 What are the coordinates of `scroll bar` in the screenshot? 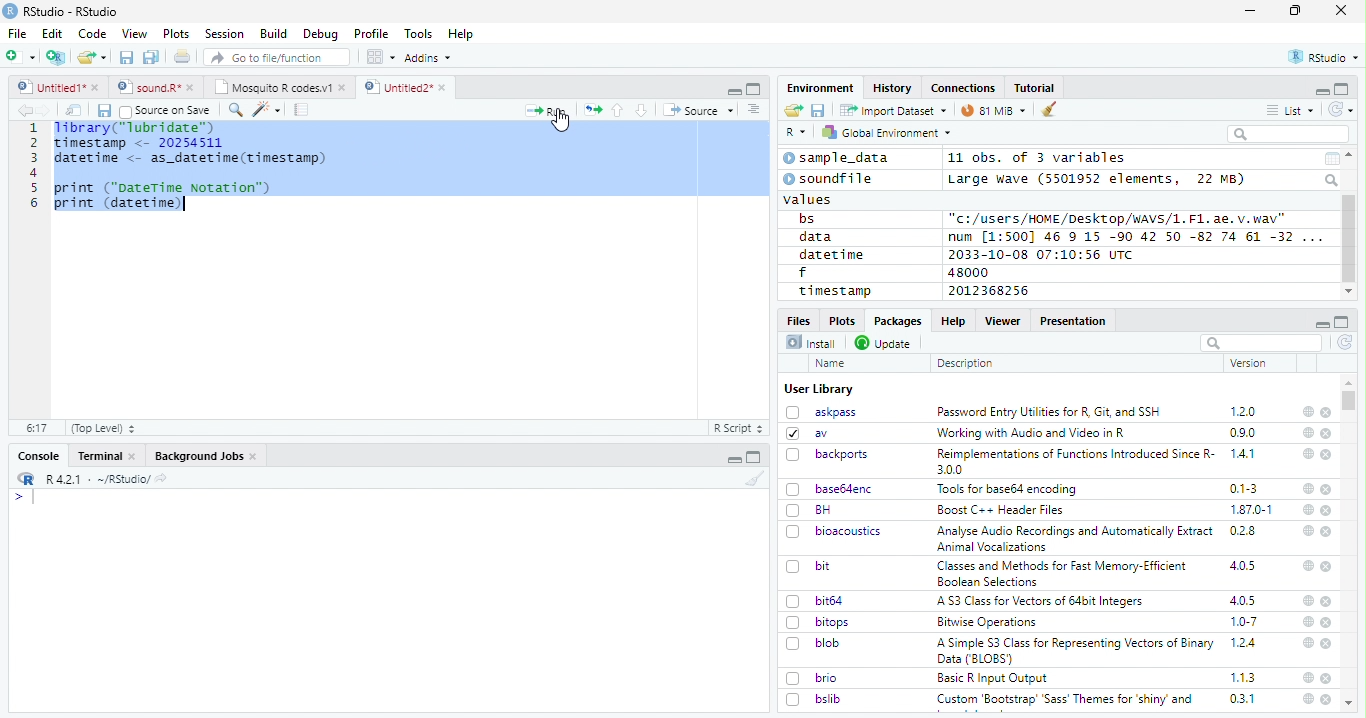 It's located at (1350, 400).